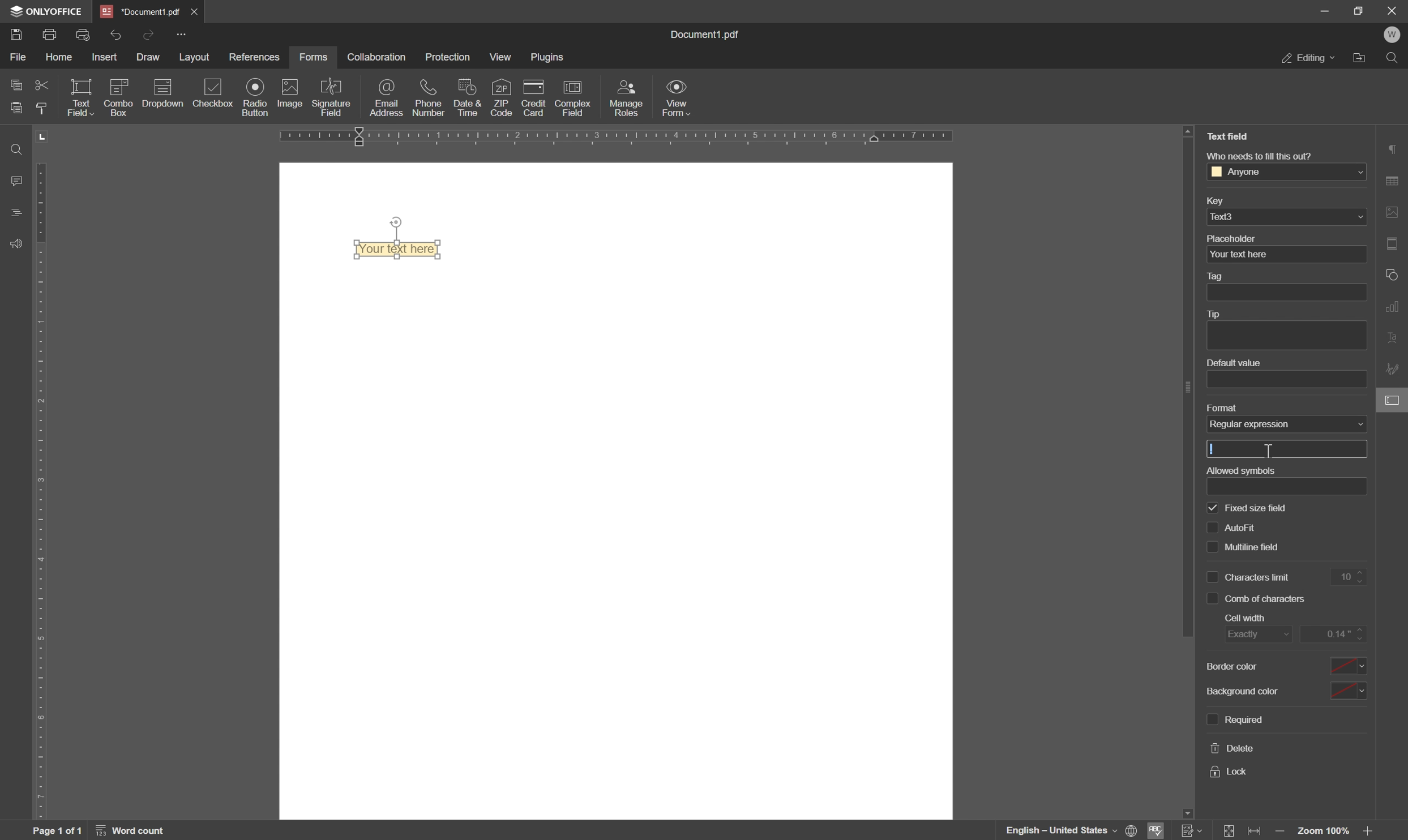  What do you see at coordinates (1395, 212) in the screenshot?
I see `image settings` at bounding box center [1395, 212].